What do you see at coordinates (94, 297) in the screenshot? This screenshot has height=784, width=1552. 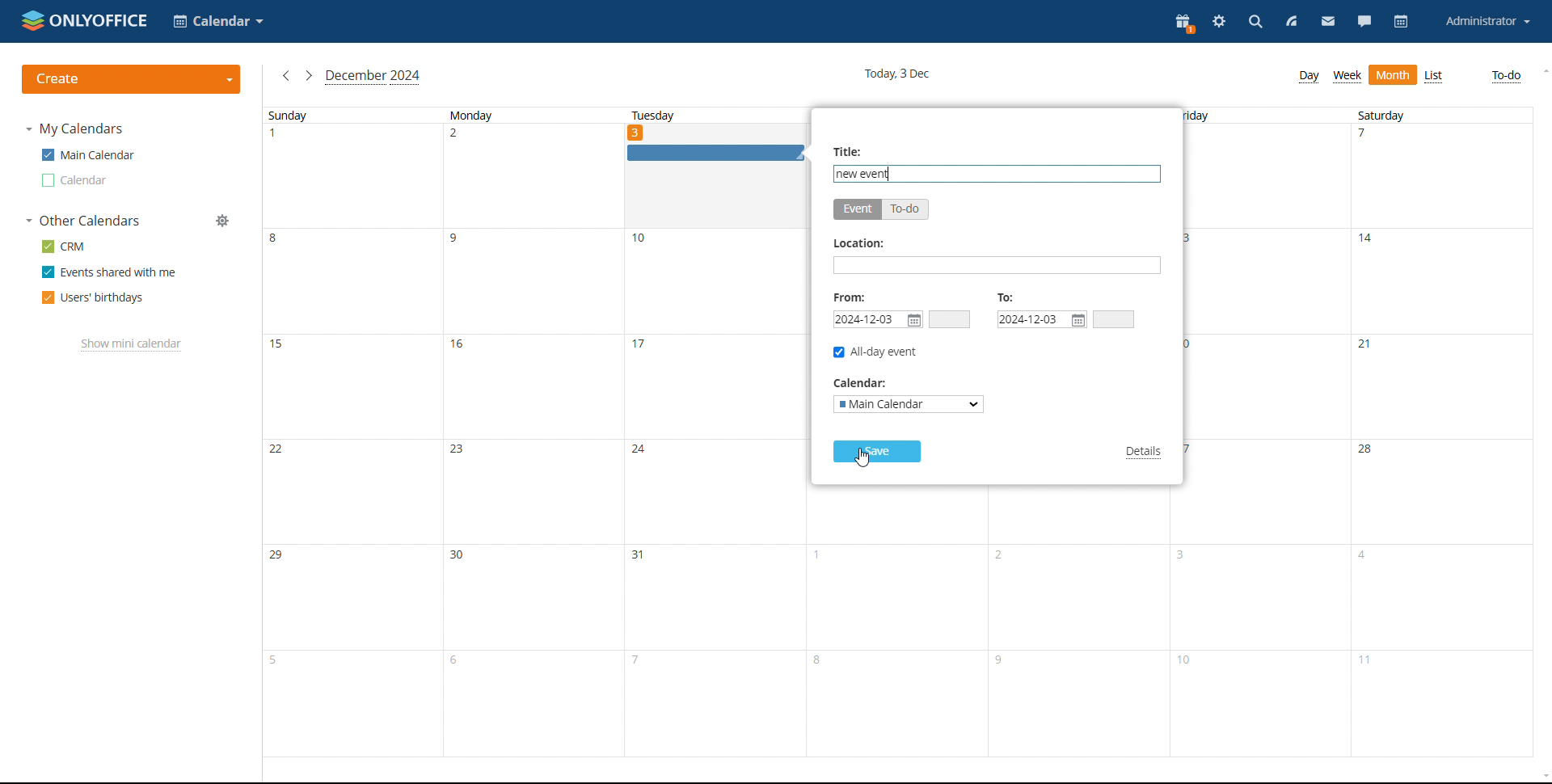 I see `users' birthdays` at bounding box center [94, 297].